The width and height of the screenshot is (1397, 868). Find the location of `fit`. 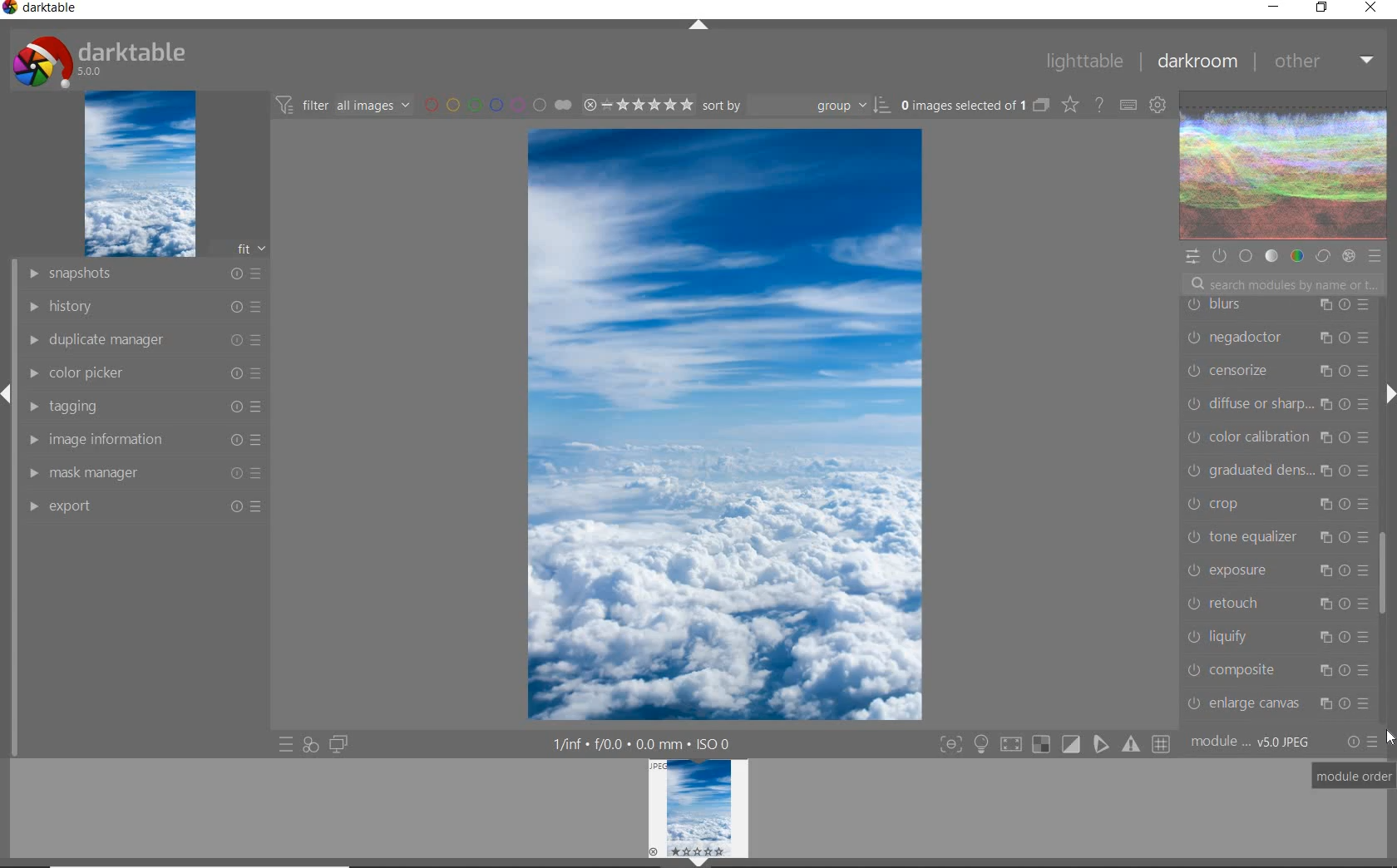

fit is located at coordinates (241, 249).